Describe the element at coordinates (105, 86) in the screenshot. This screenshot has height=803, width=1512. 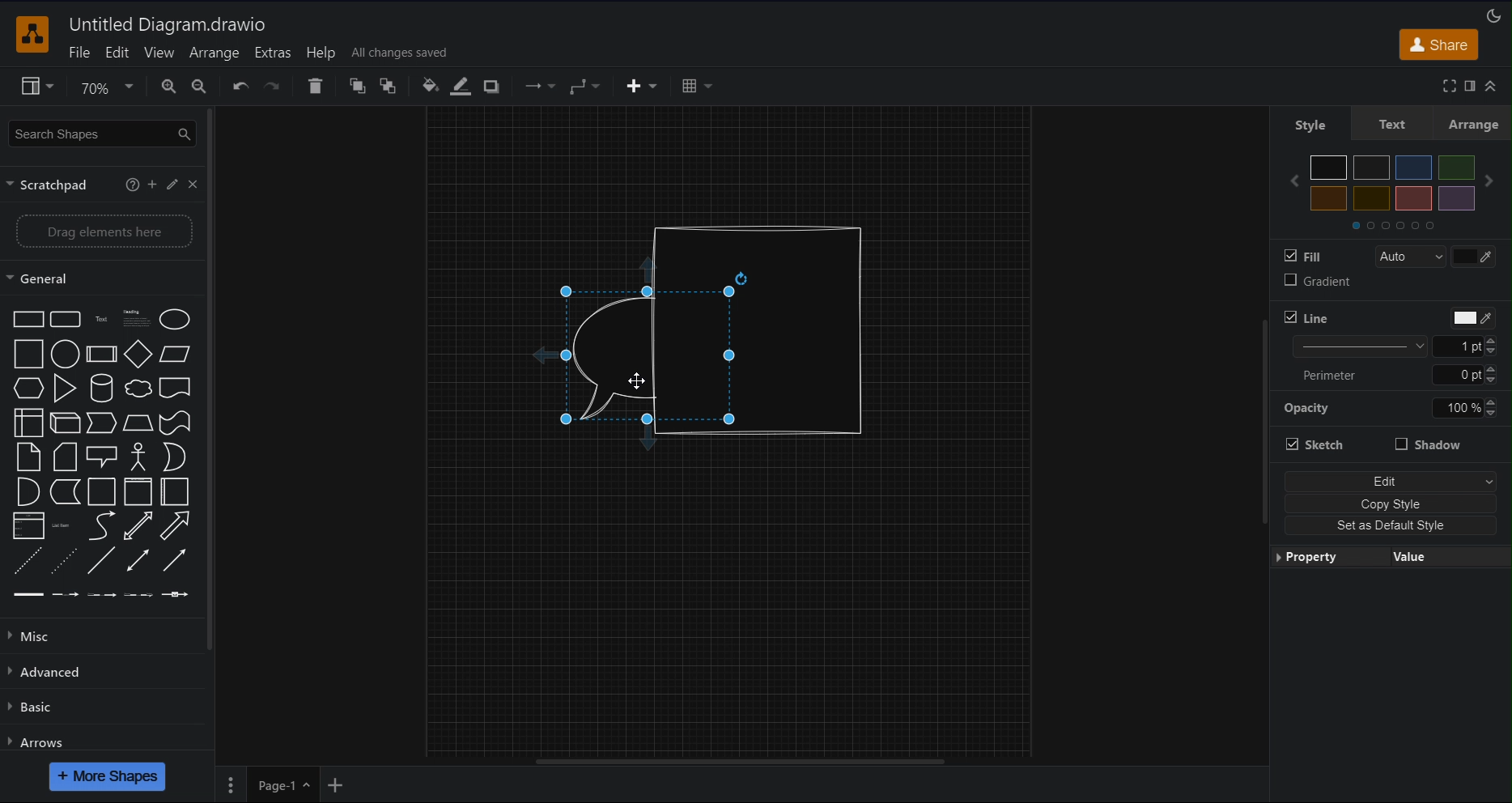
I see `Zoom` at that location.